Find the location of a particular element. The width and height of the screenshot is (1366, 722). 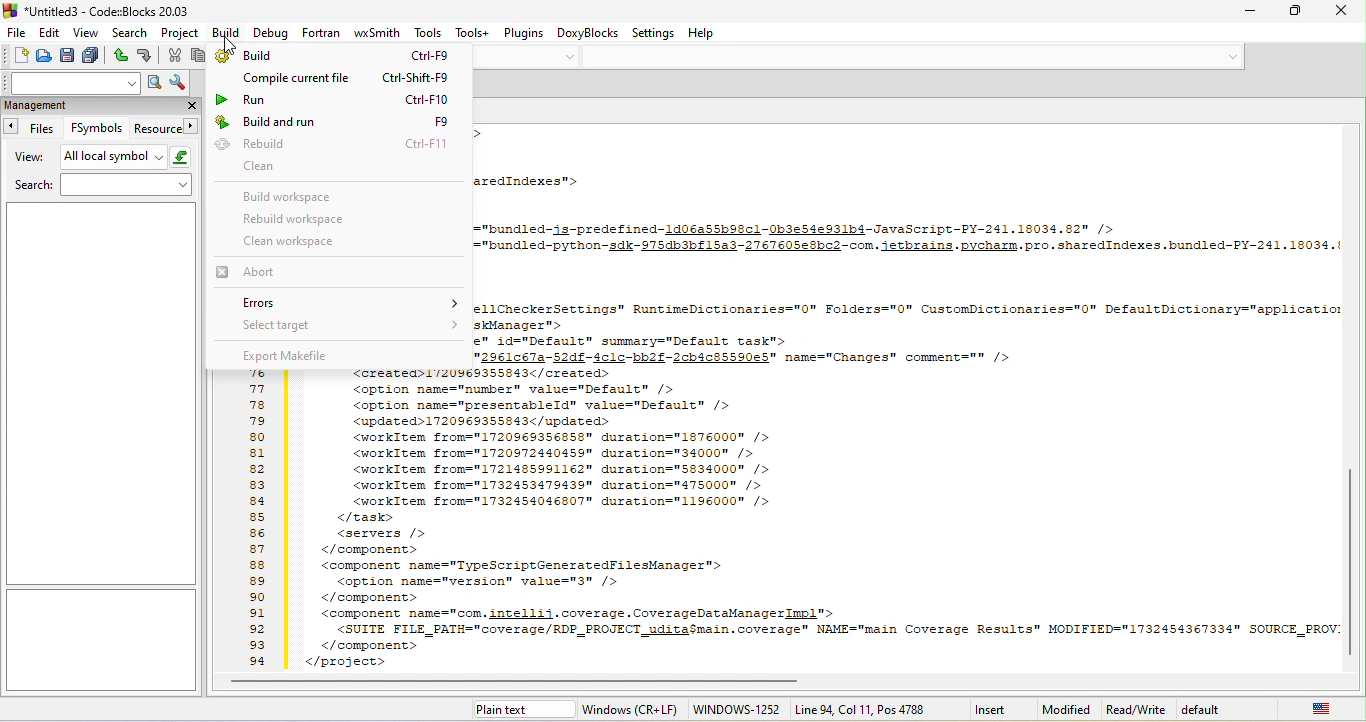

insert is located at coordinates (992, 707).